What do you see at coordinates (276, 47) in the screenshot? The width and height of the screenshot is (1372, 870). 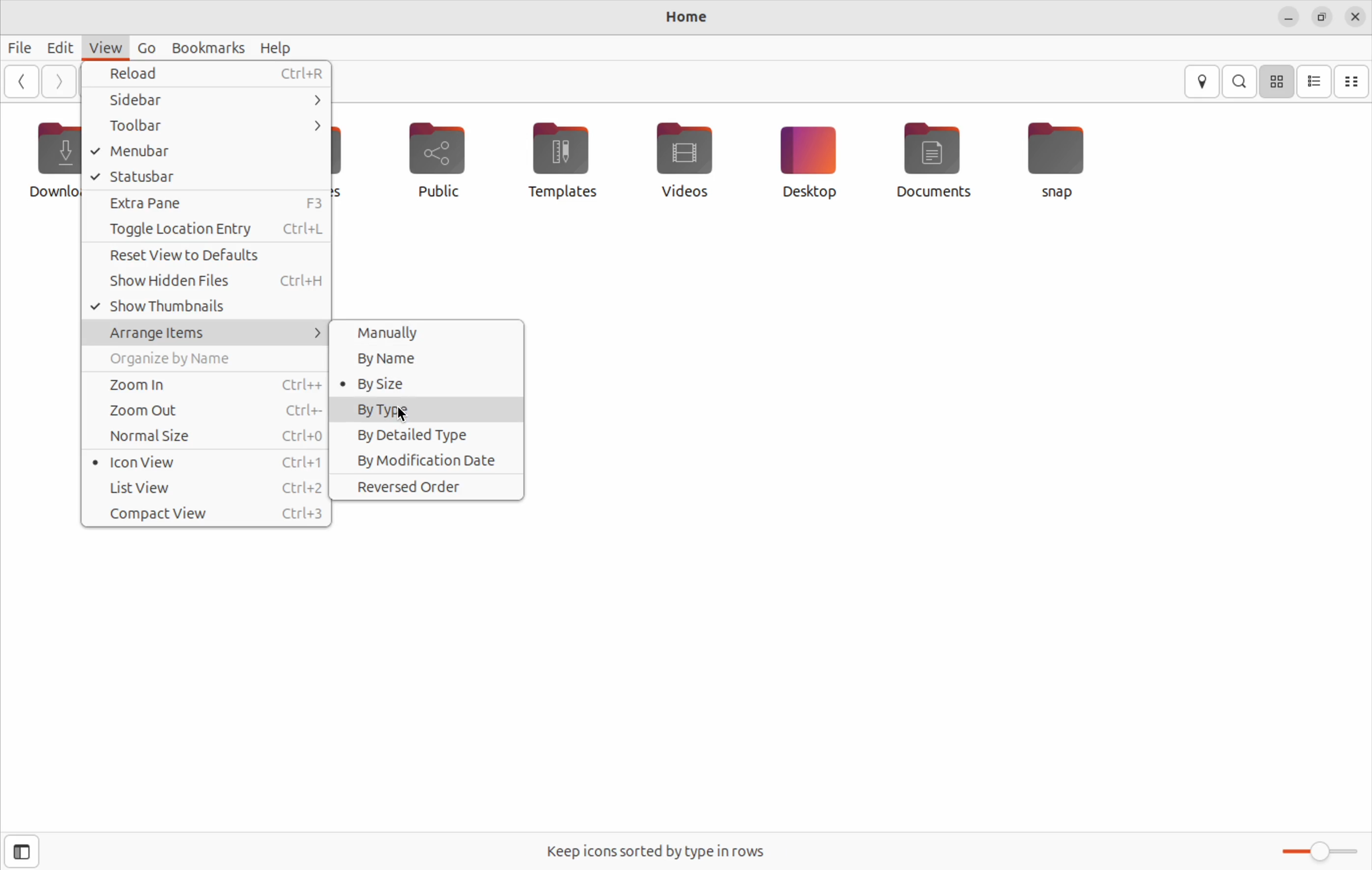 I see `help` at bounding box center [276, 47].